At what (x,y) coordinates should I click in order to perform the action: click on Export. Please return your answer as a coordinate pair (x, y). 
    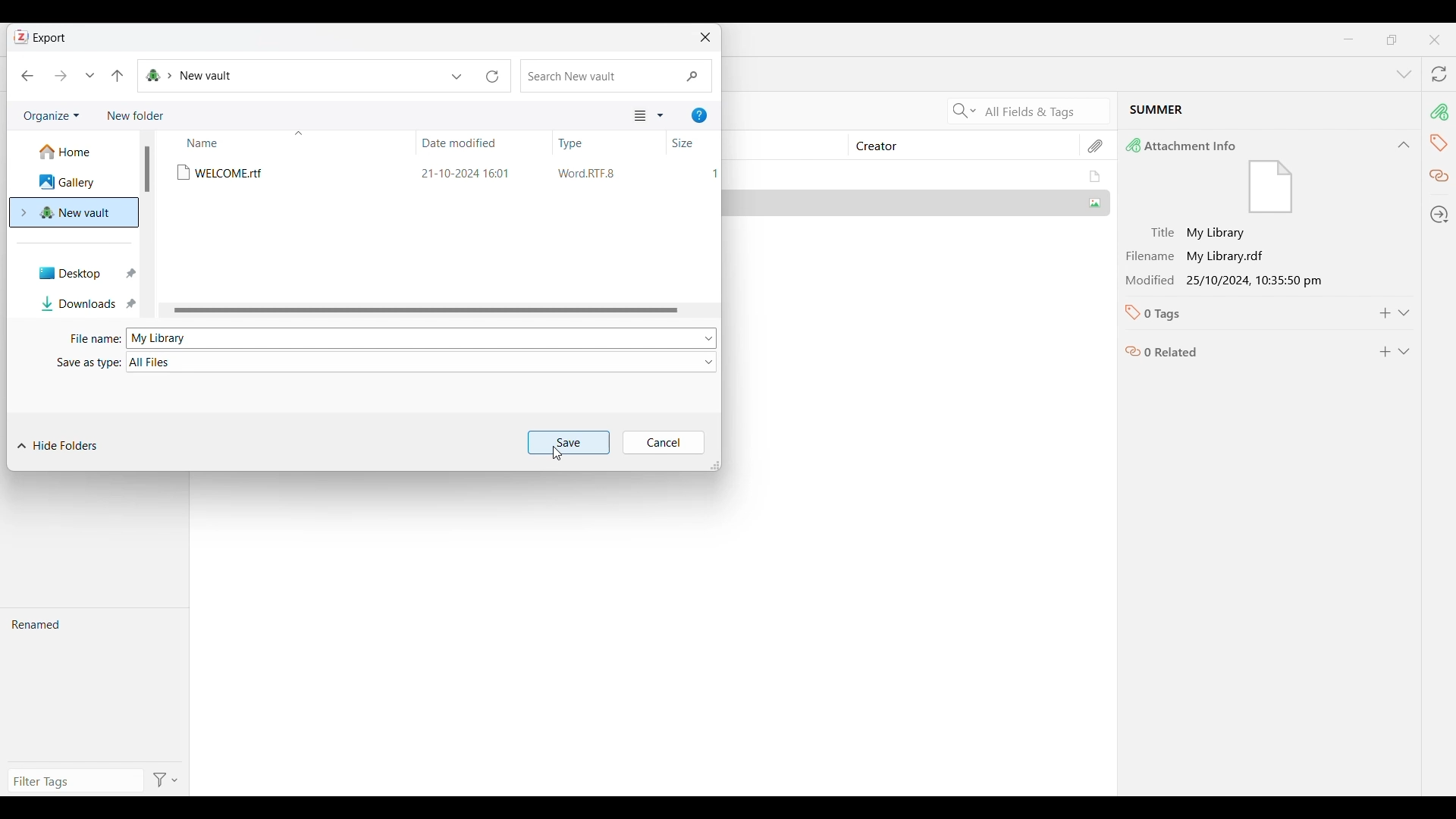
    Looking at the image, I should click on (50, 39).